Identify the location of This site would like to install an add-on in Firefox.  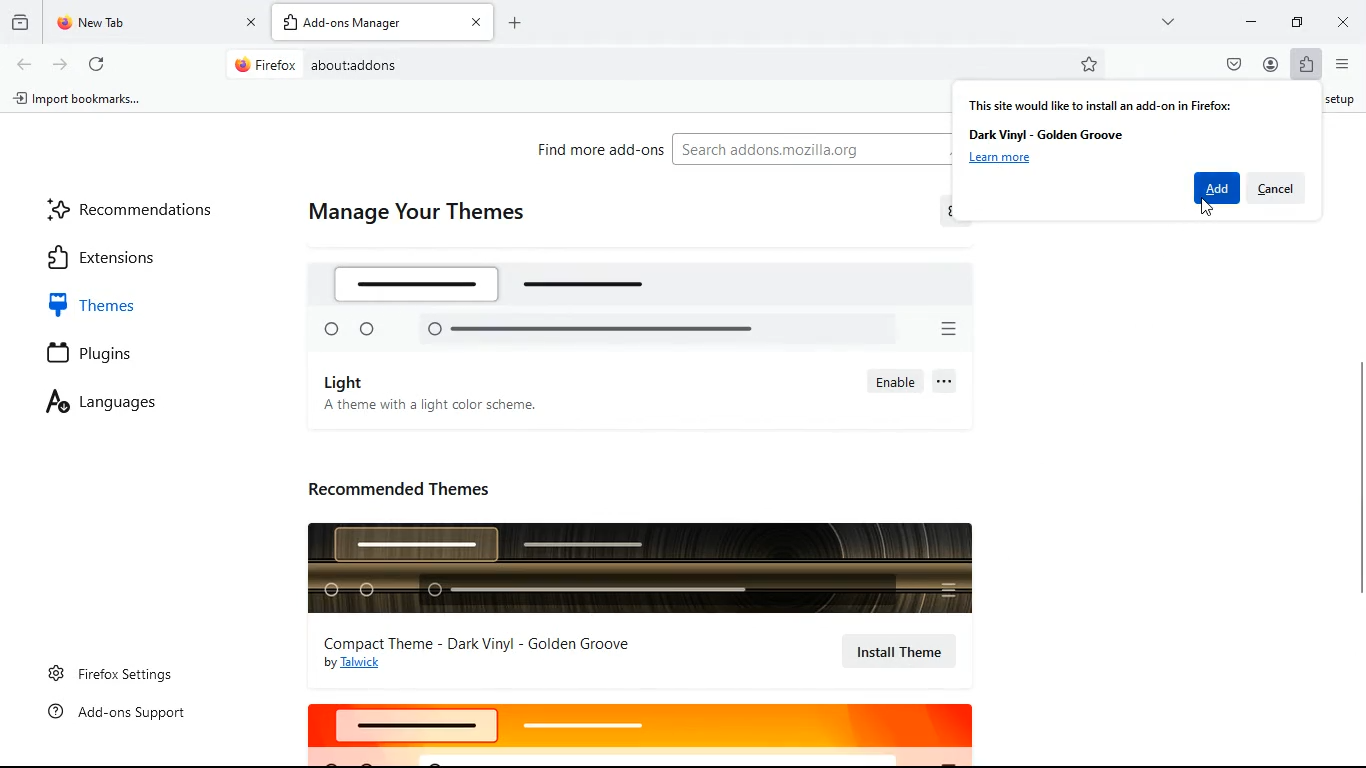
(1100, 104).